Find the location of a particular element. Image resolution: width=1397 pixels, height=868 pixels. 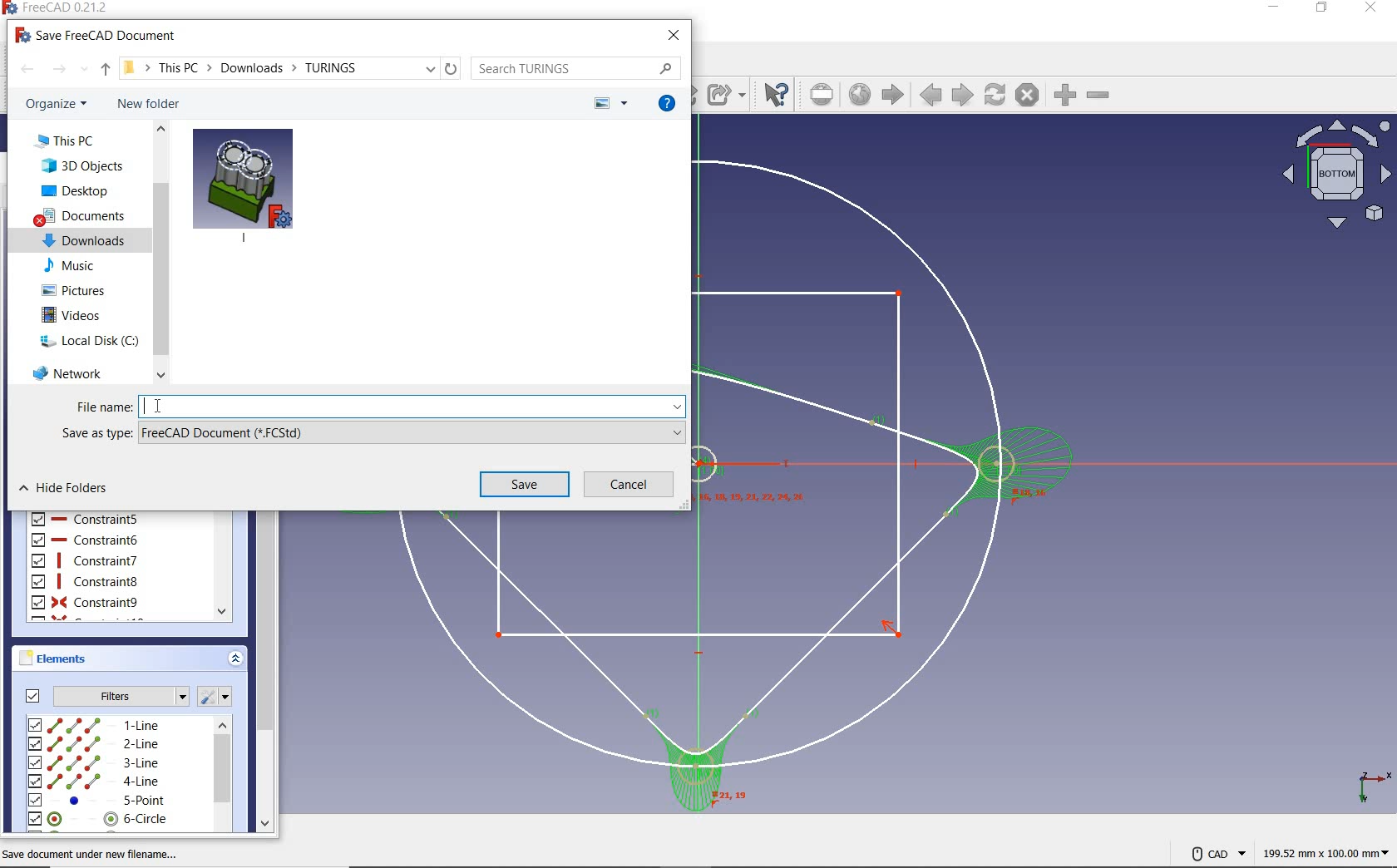

what's this? is located at coordinates (775, 95).